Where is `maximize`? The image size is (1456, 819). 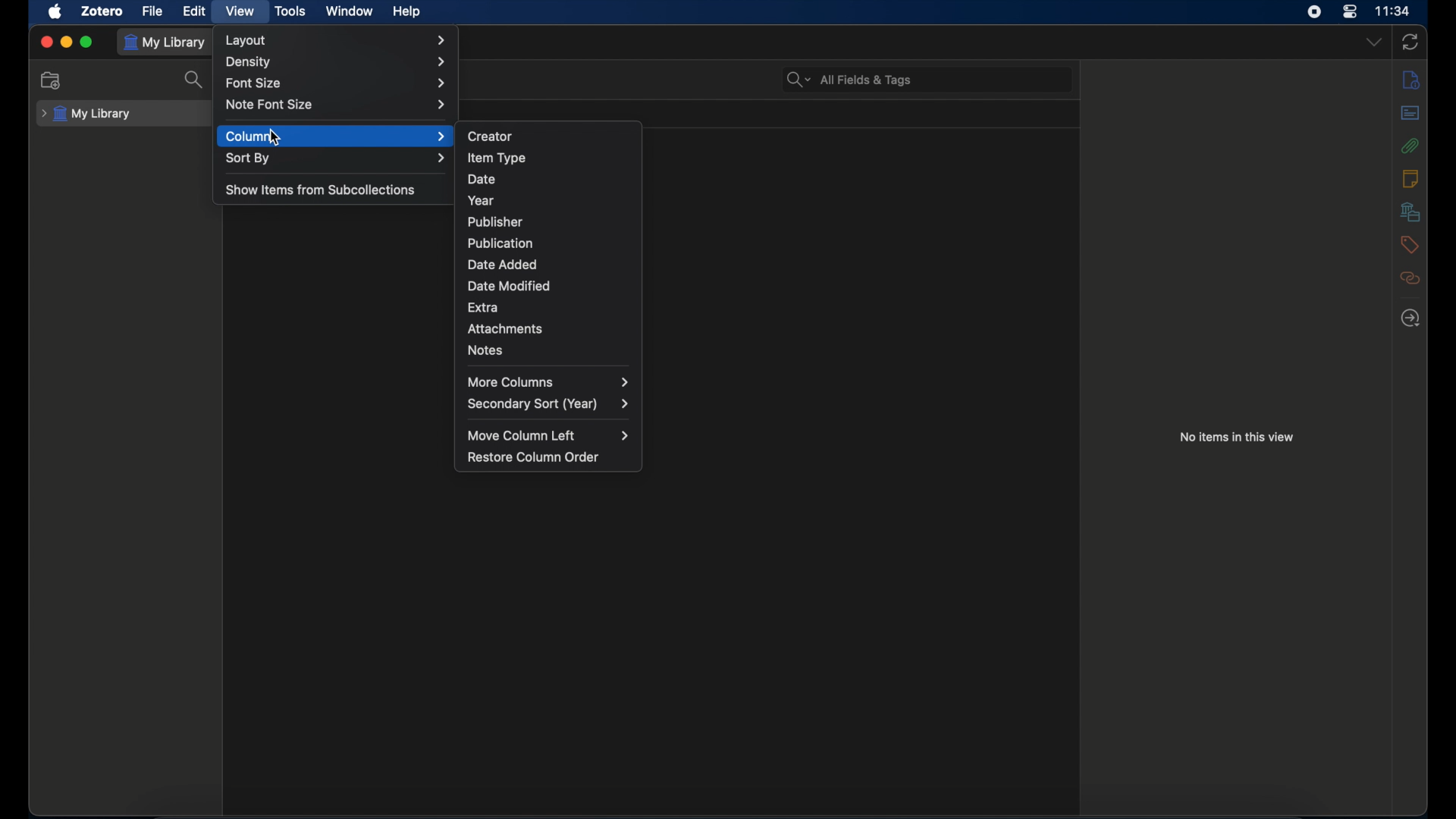
maximize is located at coordinates (86, 42).